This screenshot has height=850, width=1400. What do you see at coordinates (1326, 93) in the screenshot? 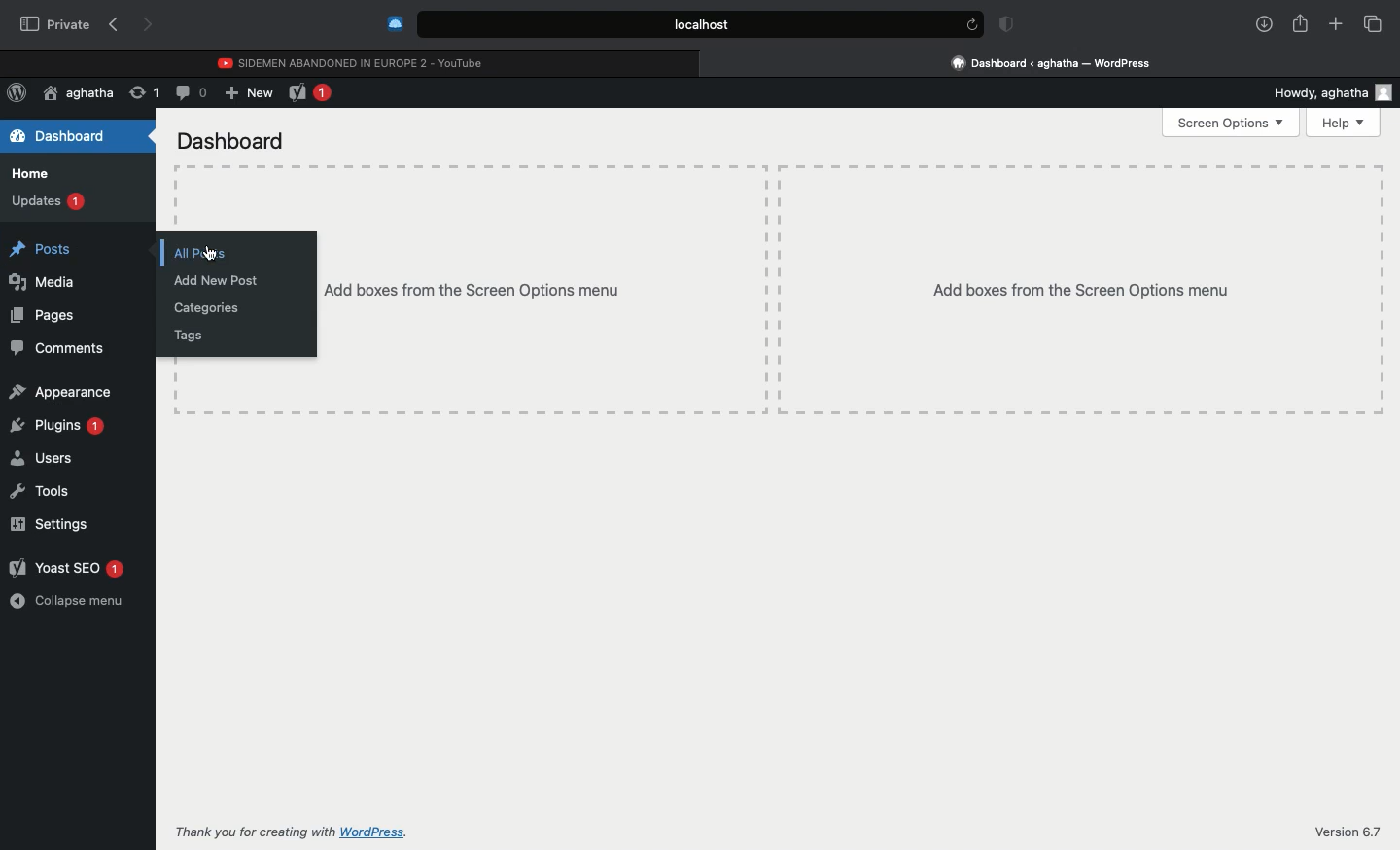
I see `Howdy user` at bounding box center [1326, 93].